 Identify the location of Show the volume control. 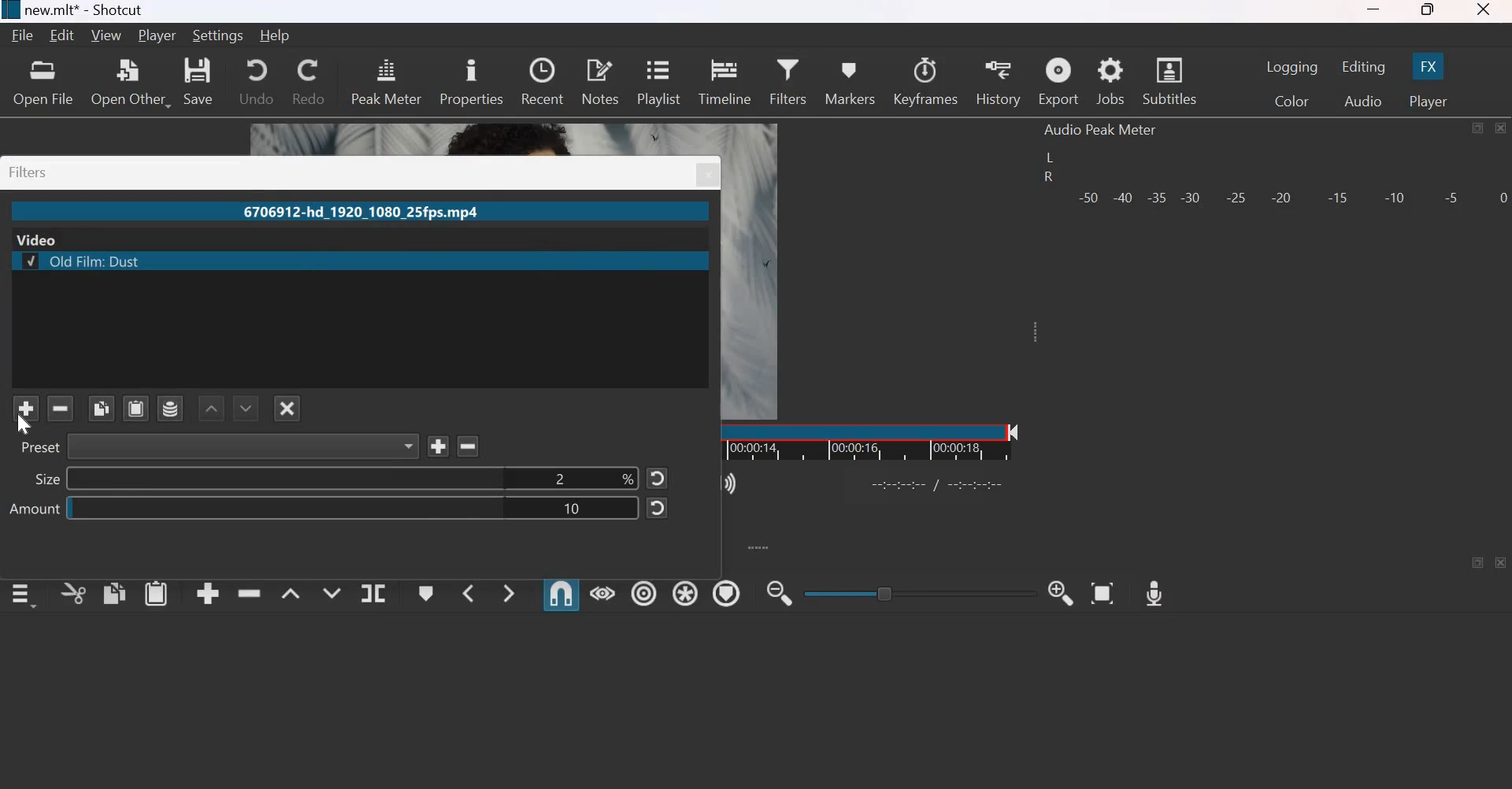
(722, 484).